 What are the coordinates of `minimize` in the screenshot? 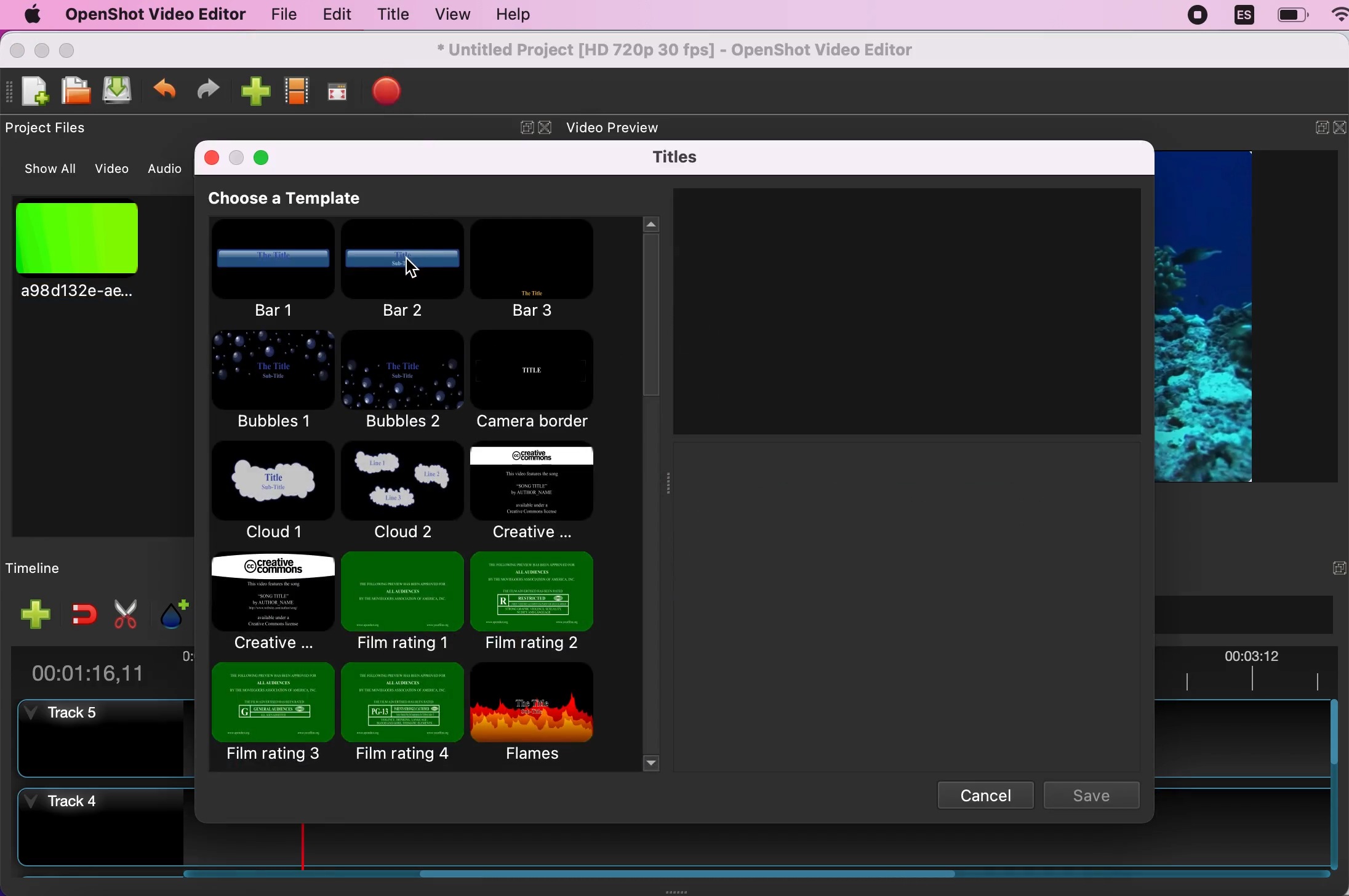 It's located at (1312, 130).